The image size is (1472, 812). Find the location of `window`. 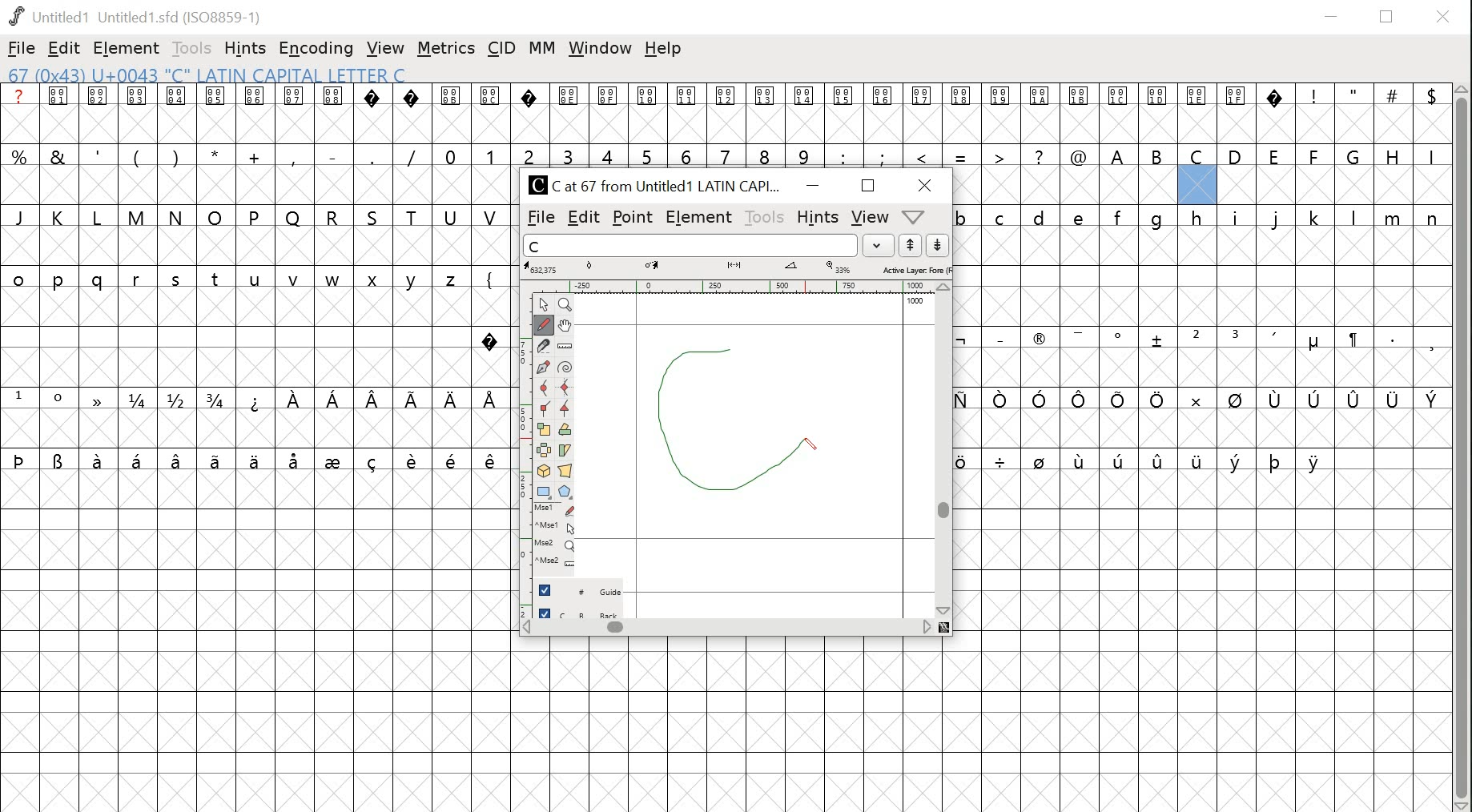

window is located at coordinates (601, 51).